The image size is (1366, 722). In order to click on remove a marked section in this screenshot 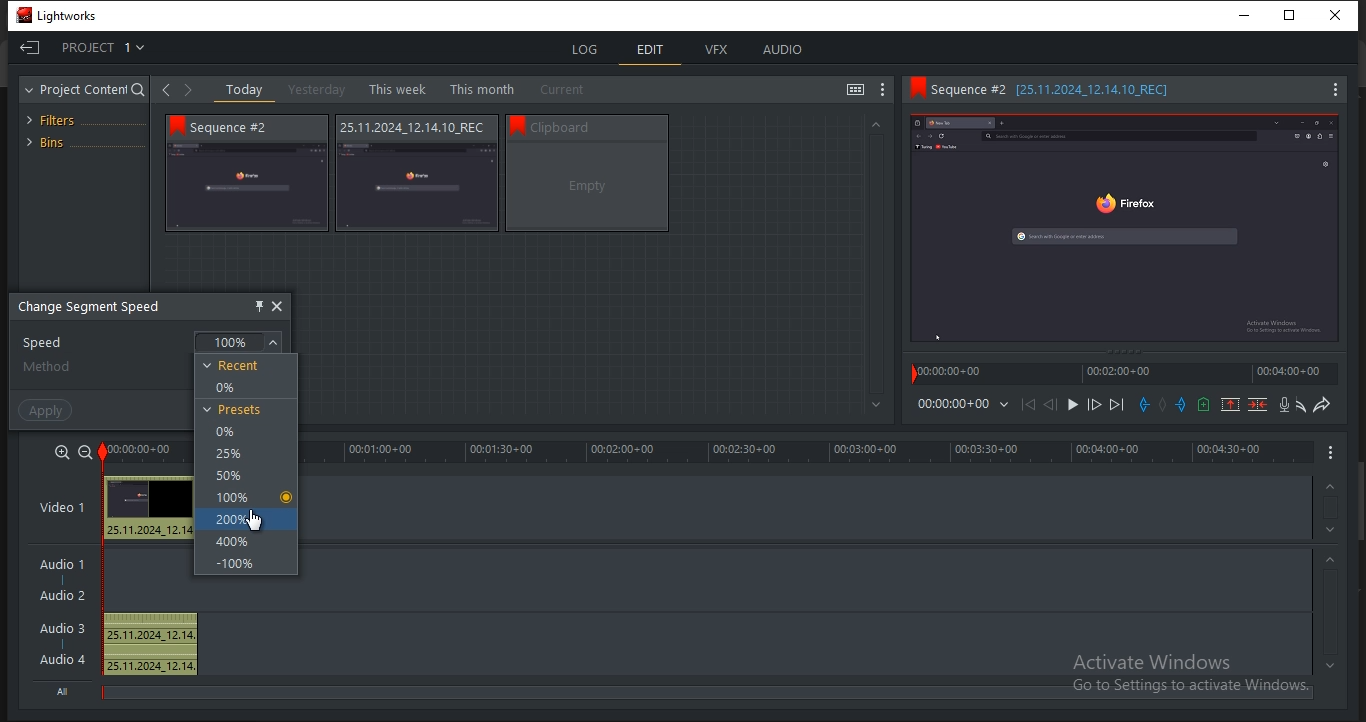, I will do `click(1231, 405)`.